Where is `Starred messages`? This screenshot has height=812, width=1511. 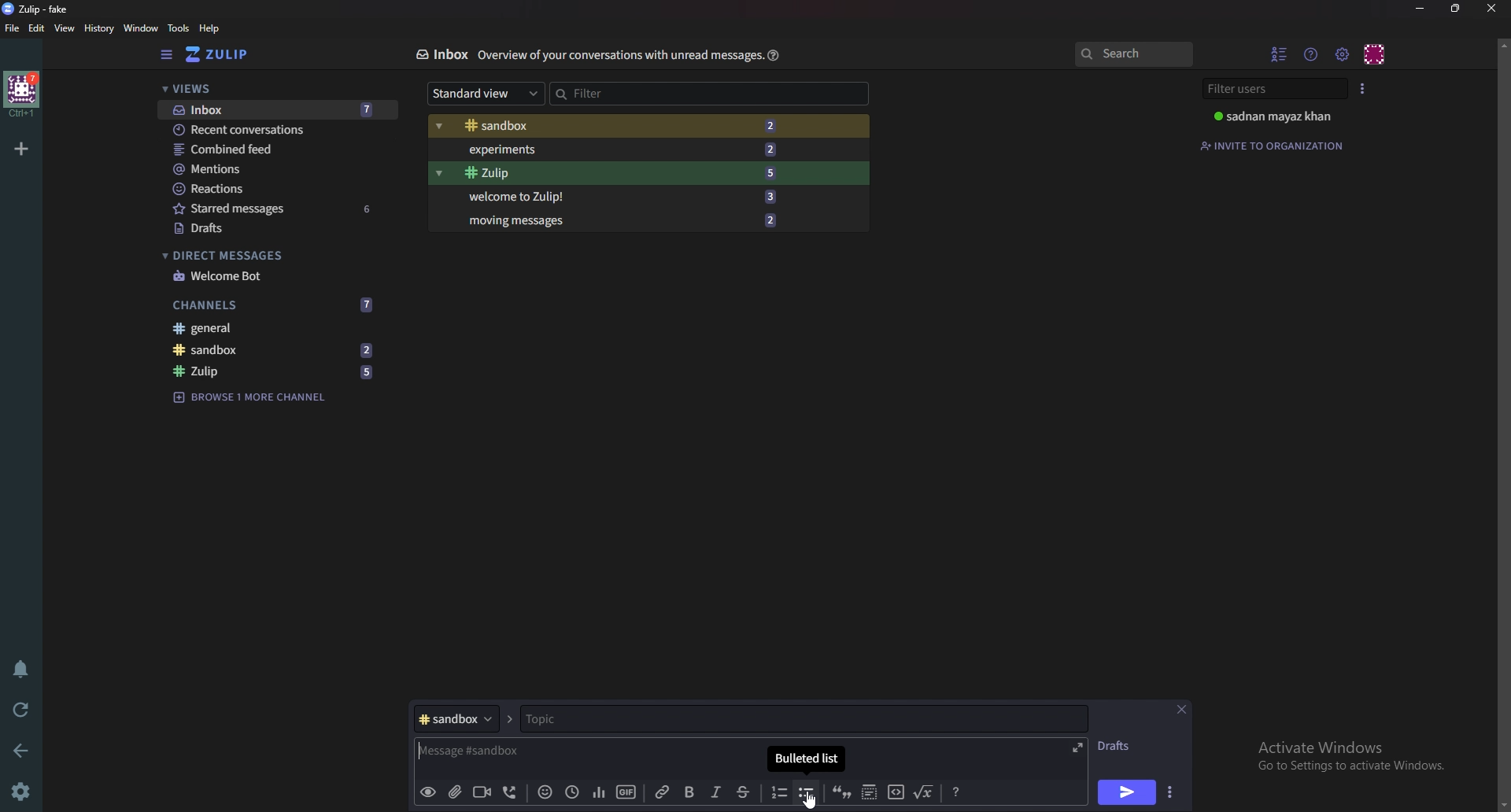
Starred messages is located at coordinates (278, 208).